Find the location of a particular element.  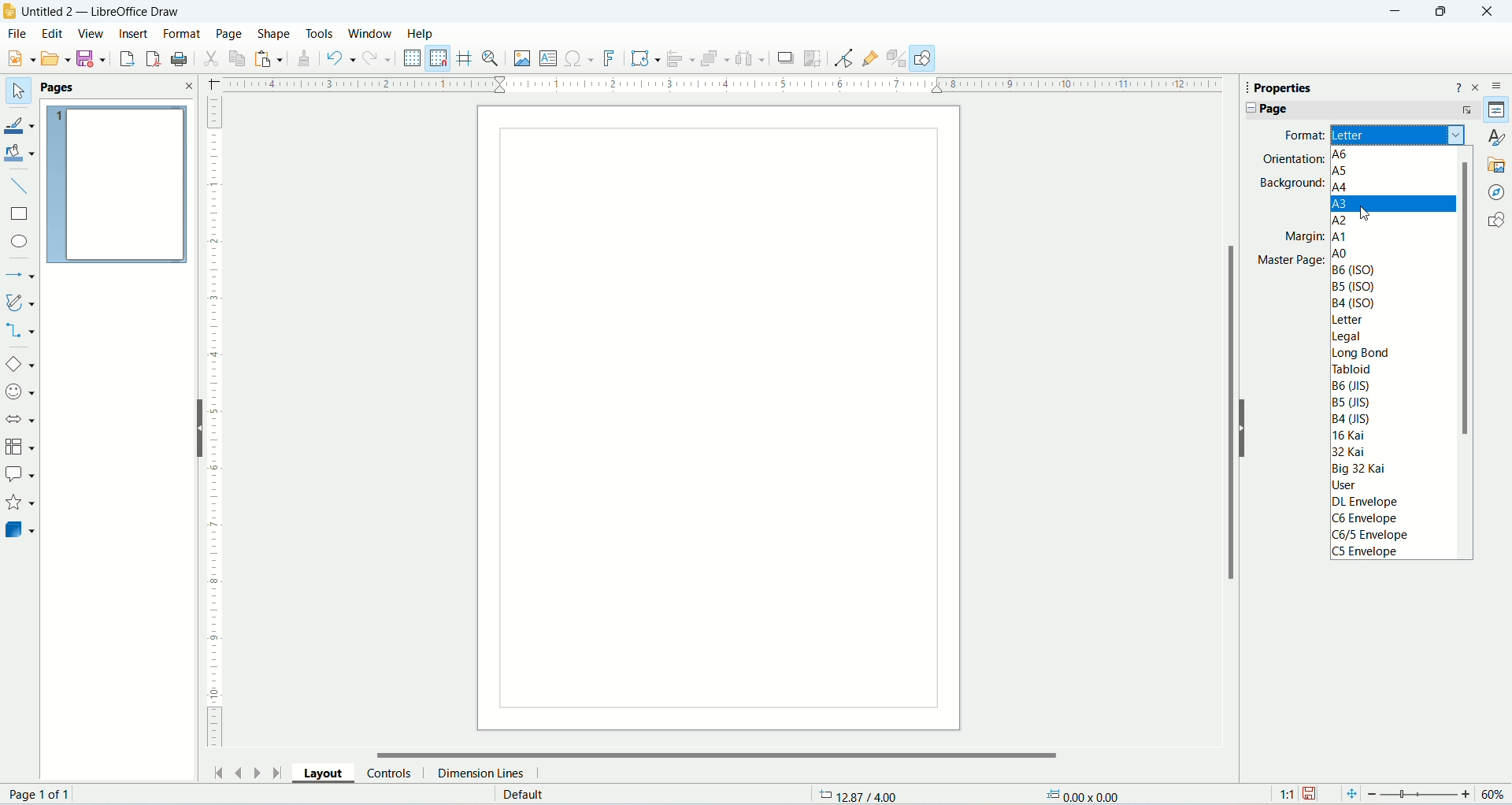

32 kai is located at coordinates (1351, 453).